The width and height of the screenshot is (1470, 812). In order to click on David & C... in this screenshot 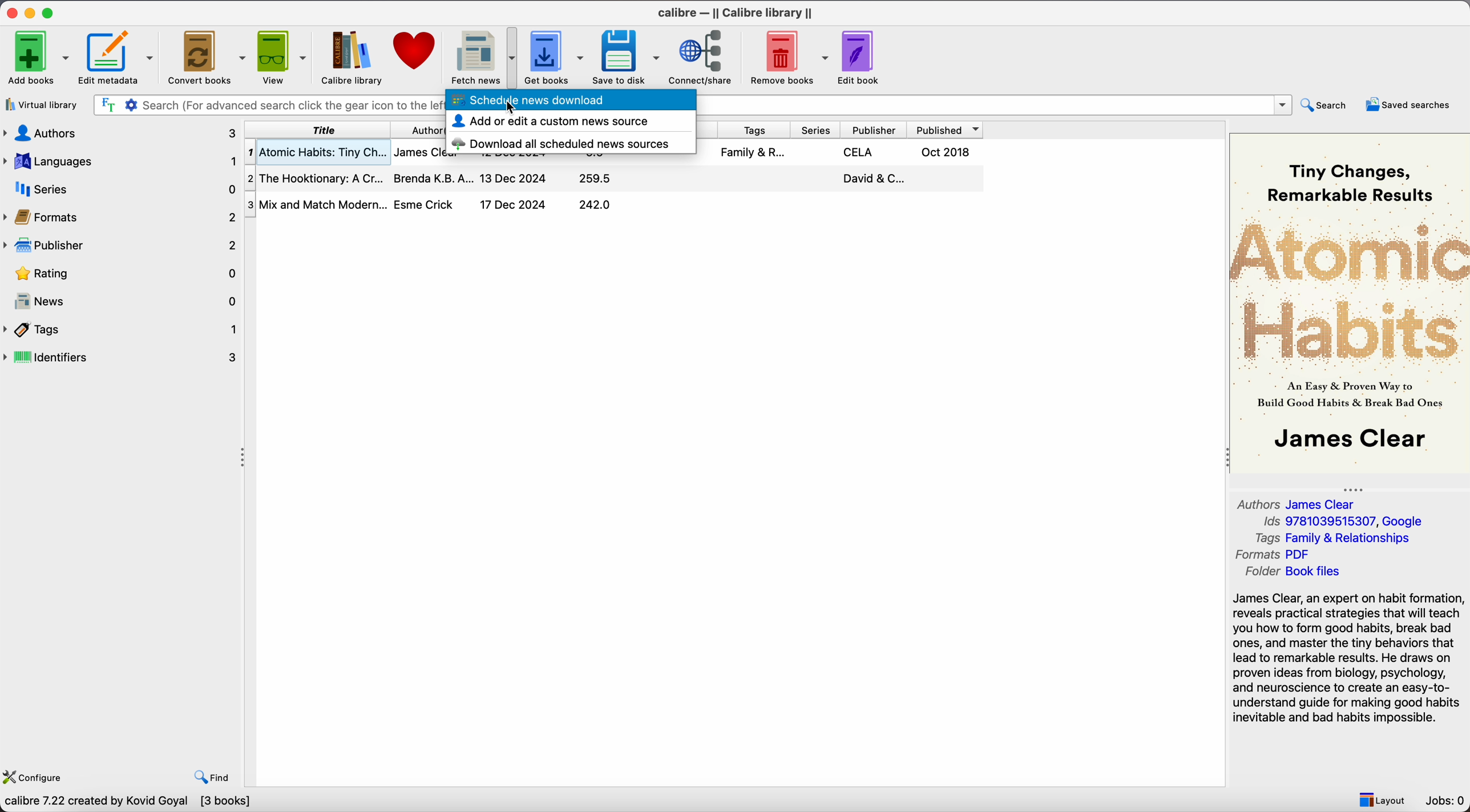, I will do `click(871, 179)`.